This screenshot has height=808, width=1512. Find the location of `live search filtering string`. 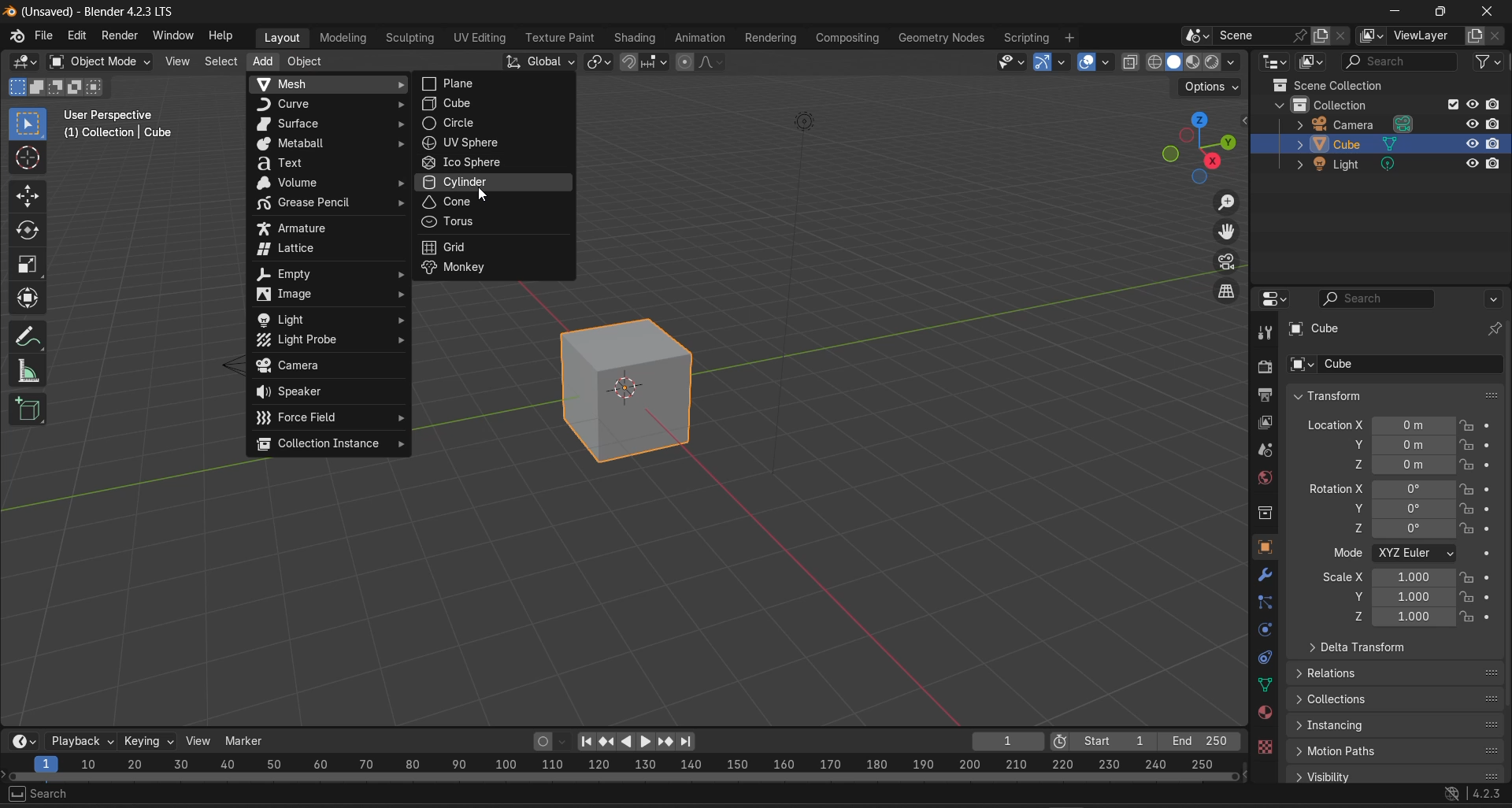

live search filtering string is located at coordinates (1401, 63).